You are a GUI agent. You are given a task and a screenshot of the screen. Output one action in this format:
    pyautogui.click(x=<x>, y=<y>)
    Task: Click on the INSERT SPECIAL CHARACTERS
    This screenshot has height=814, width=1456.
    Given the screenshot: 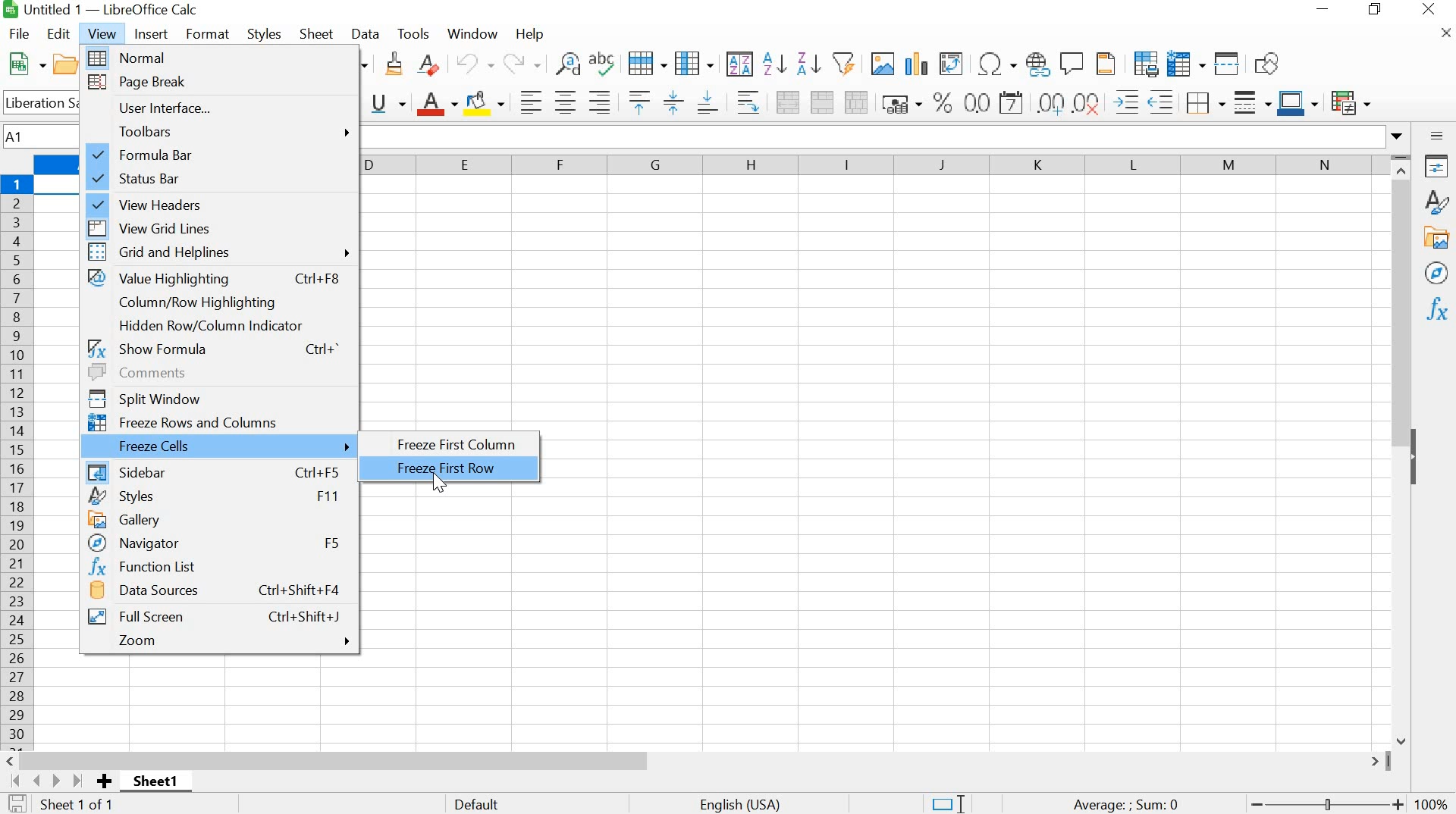 What is the action you would take?
    pyautogui.click(x=996, y=64)
    